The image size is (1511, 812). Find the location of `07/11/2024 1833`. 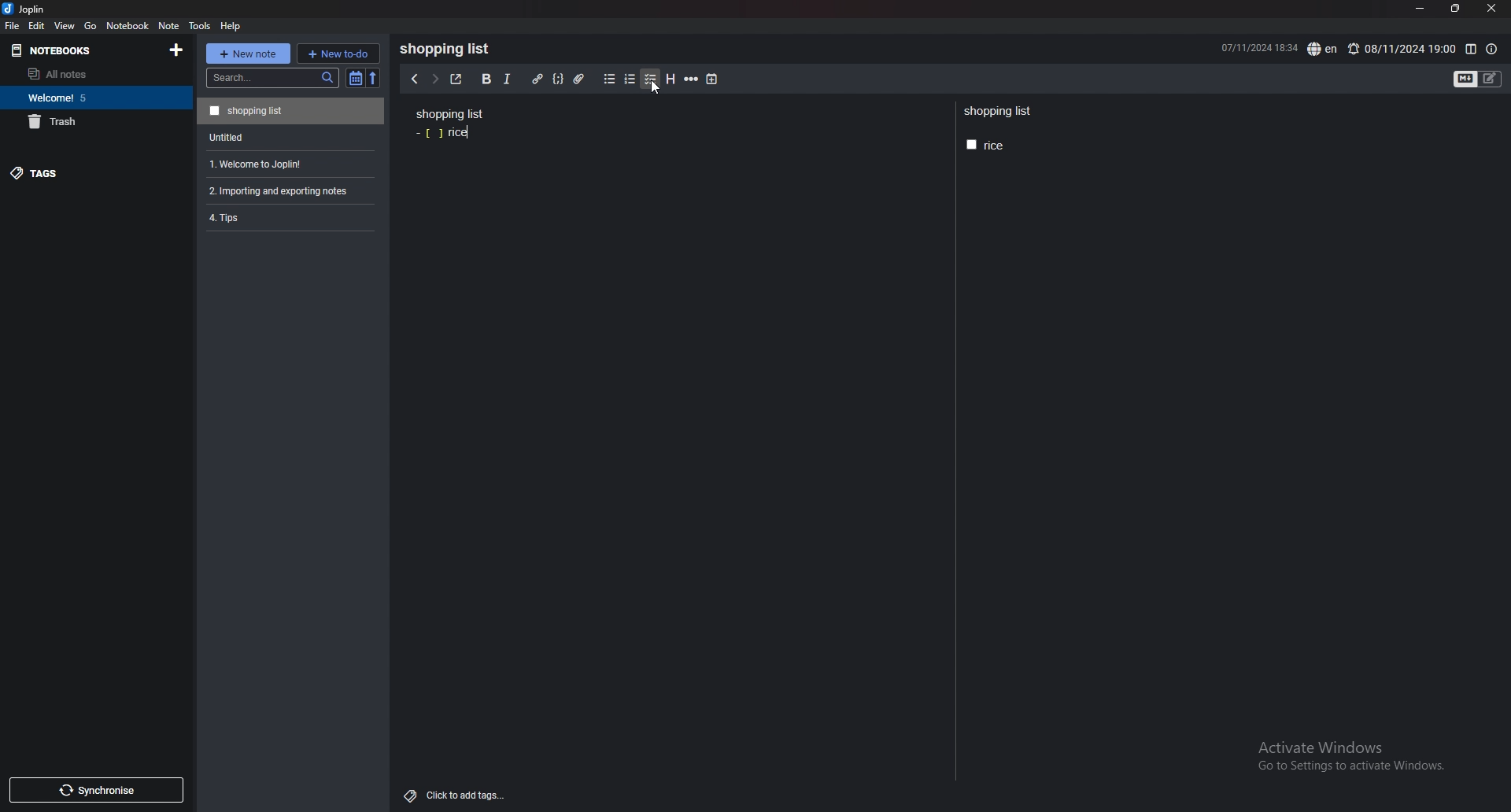

07/11/2024 1833 is located at coordinates (1258, 47).